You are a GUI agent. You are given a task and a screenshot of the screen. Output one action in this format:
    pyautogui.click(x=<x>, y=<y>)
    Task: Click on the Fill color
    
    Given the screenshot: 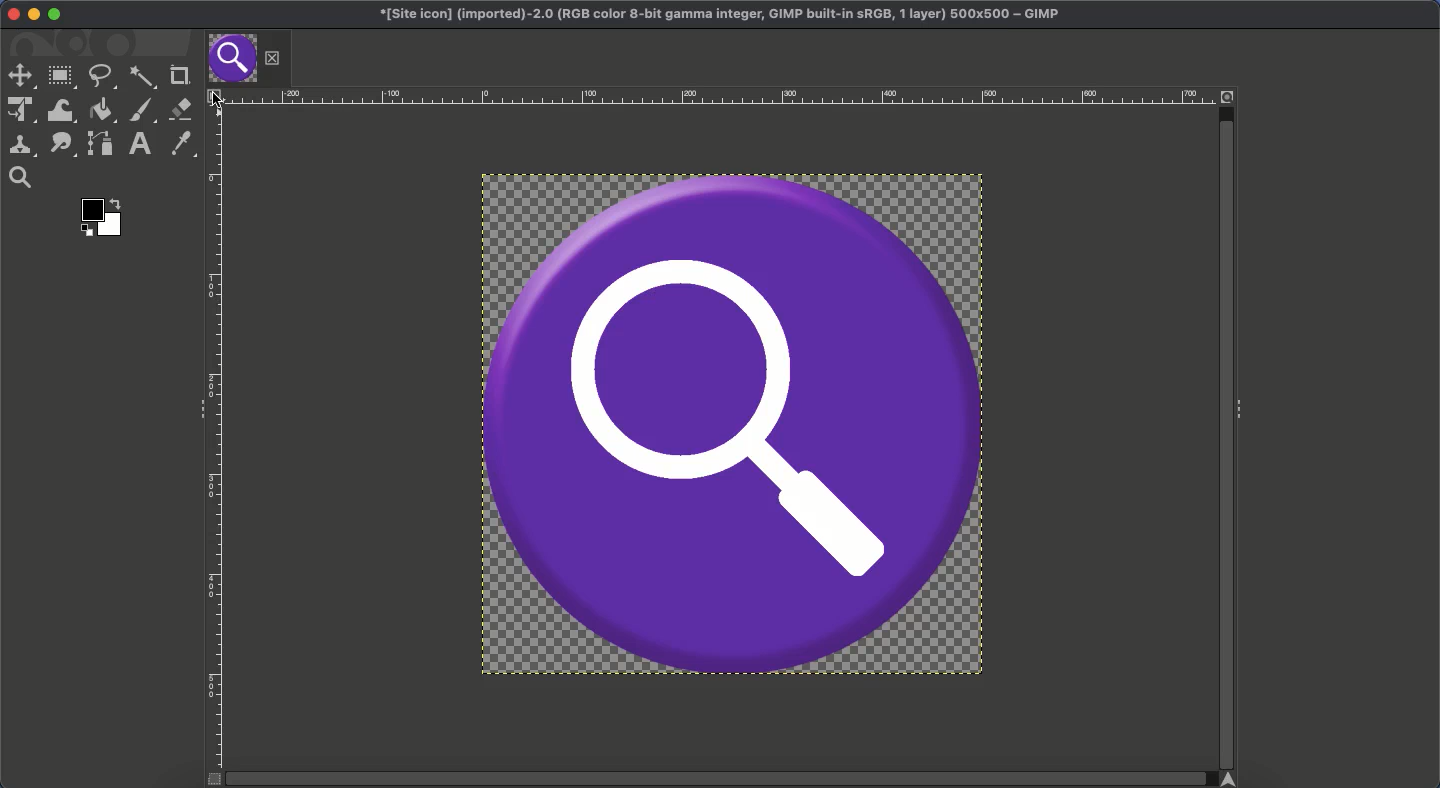 What is the action you would take?
    pyautogui.click(x=100, y=111)
    